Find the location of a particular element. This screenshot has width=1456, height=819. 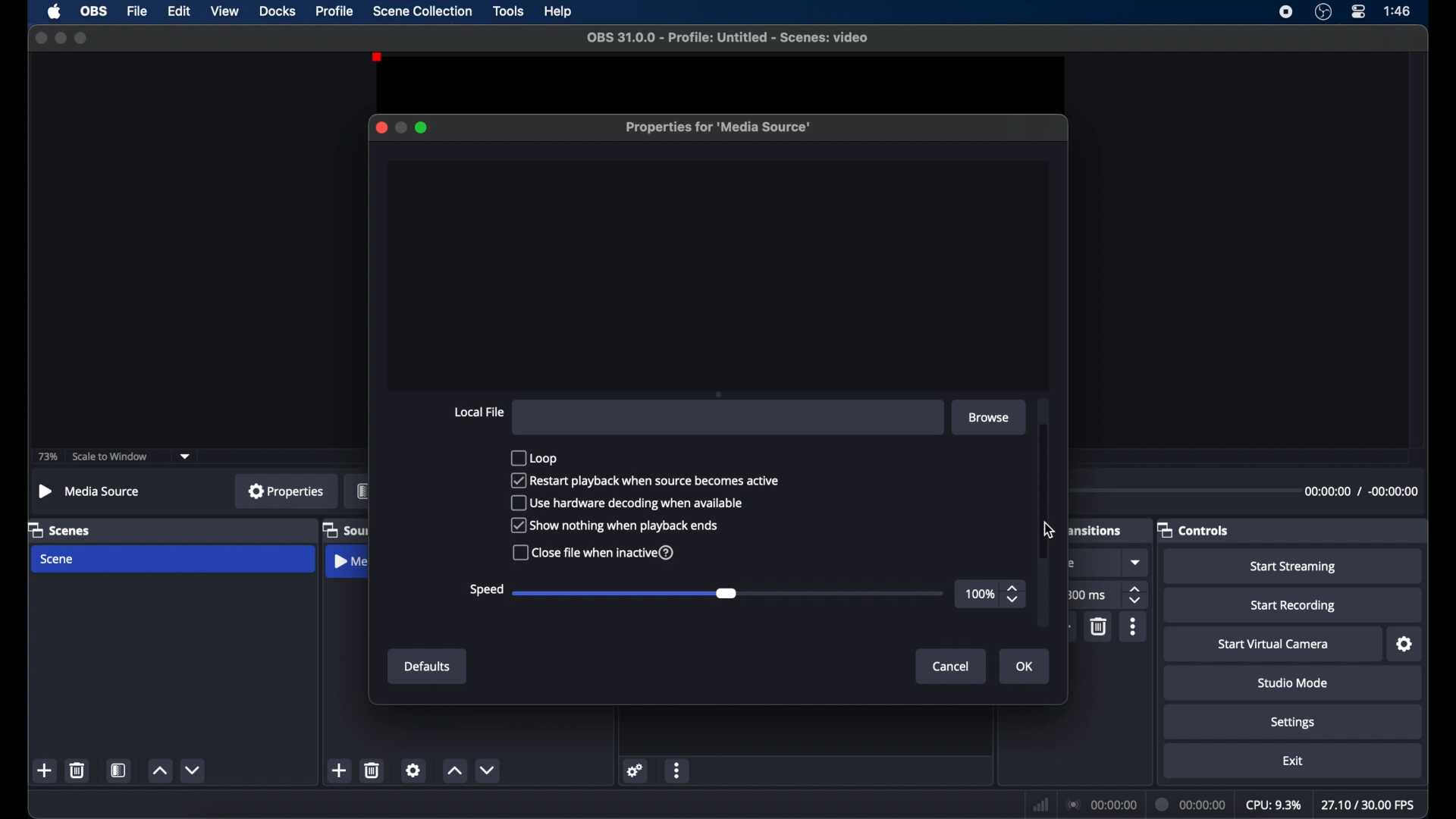

300 ms is located at coordinates (1086, 595).